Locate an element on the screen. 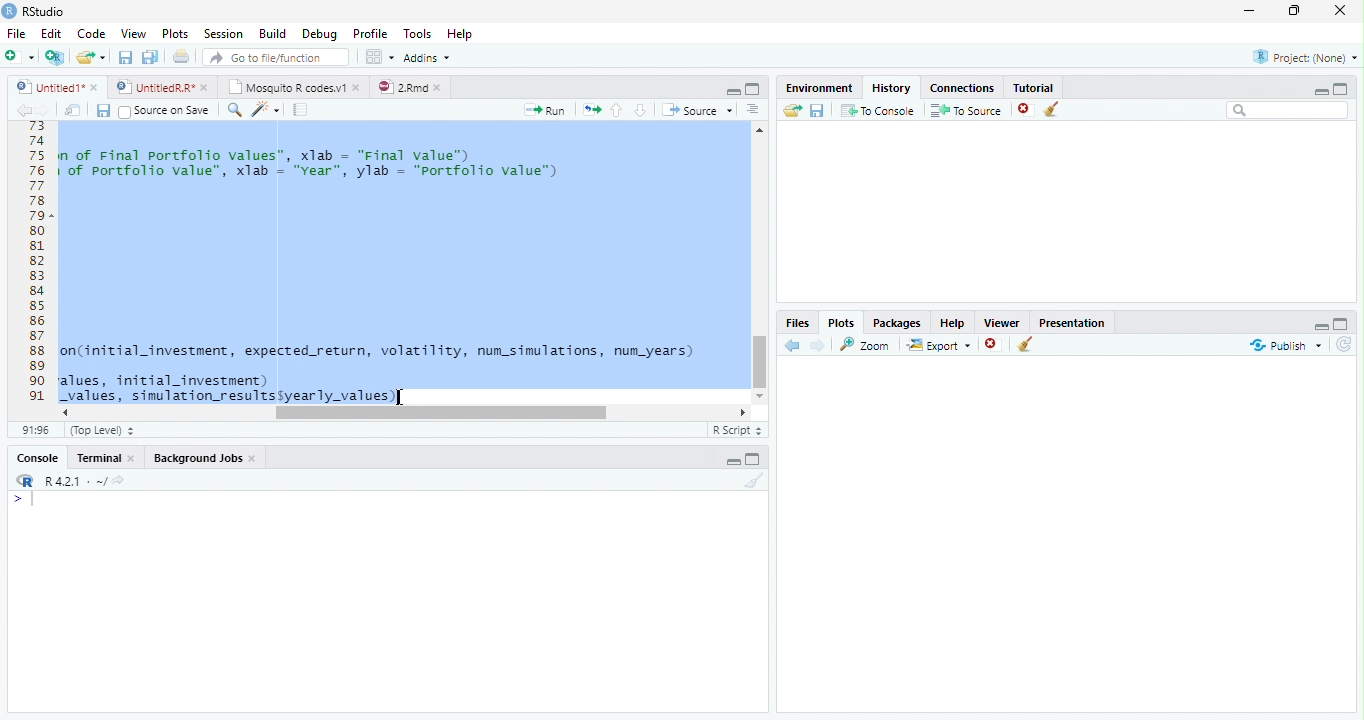 The width and height of the screenshot is (1364, 720). Addins is located at coordinates (428, 57).